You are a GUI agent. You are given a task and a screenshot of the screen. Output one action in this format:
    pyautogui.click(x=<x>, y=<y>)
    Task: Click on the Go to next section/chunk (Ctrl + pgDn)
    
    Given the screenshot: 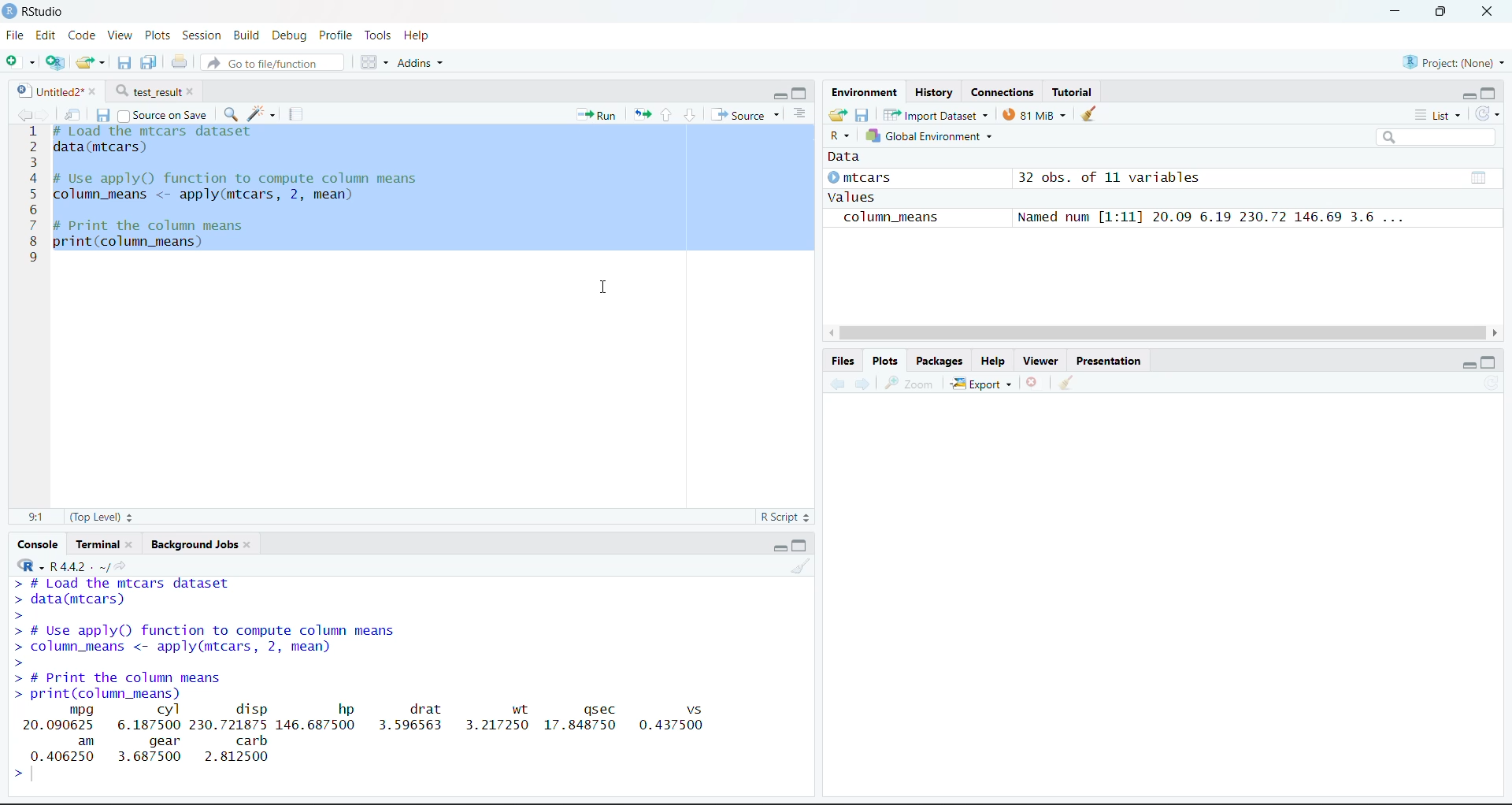 What is the action you would take?
    pyautogui.click(x=689, y=114)
    